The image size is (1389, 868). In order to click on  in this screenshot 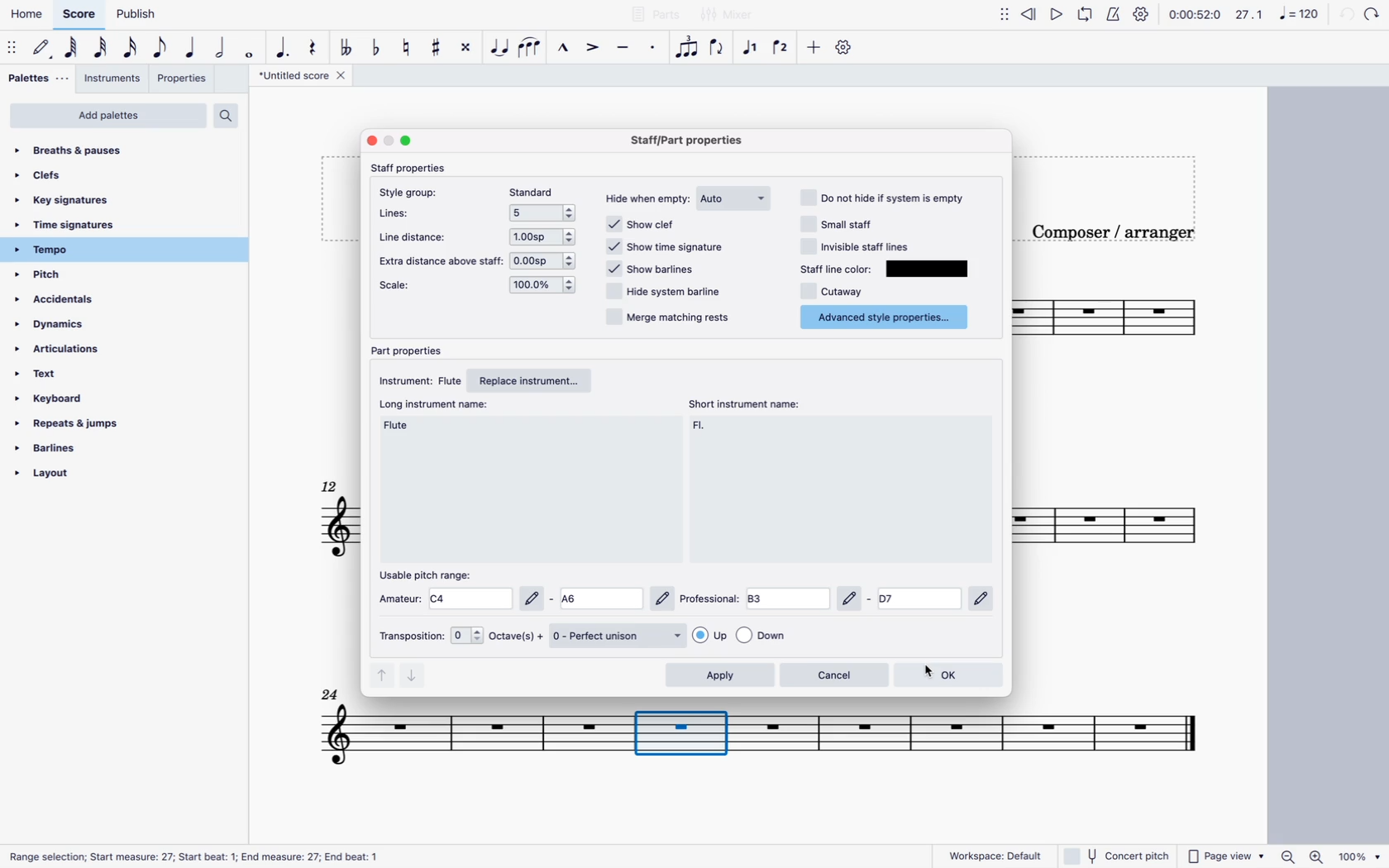, I will do `click(1375, 15)`.